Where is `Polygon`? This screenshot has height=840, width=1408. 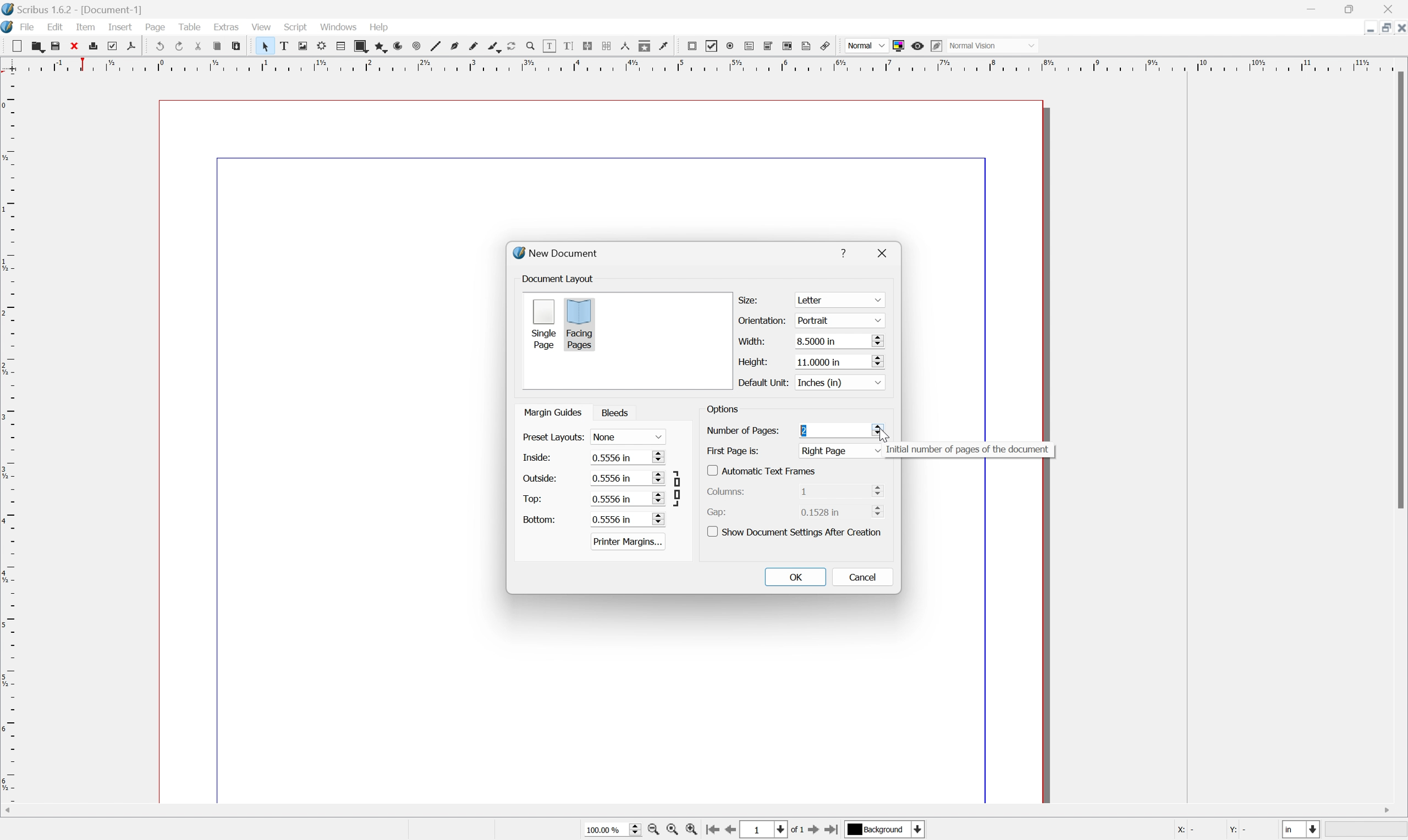
Polygon is located at coordinates (378, 46).